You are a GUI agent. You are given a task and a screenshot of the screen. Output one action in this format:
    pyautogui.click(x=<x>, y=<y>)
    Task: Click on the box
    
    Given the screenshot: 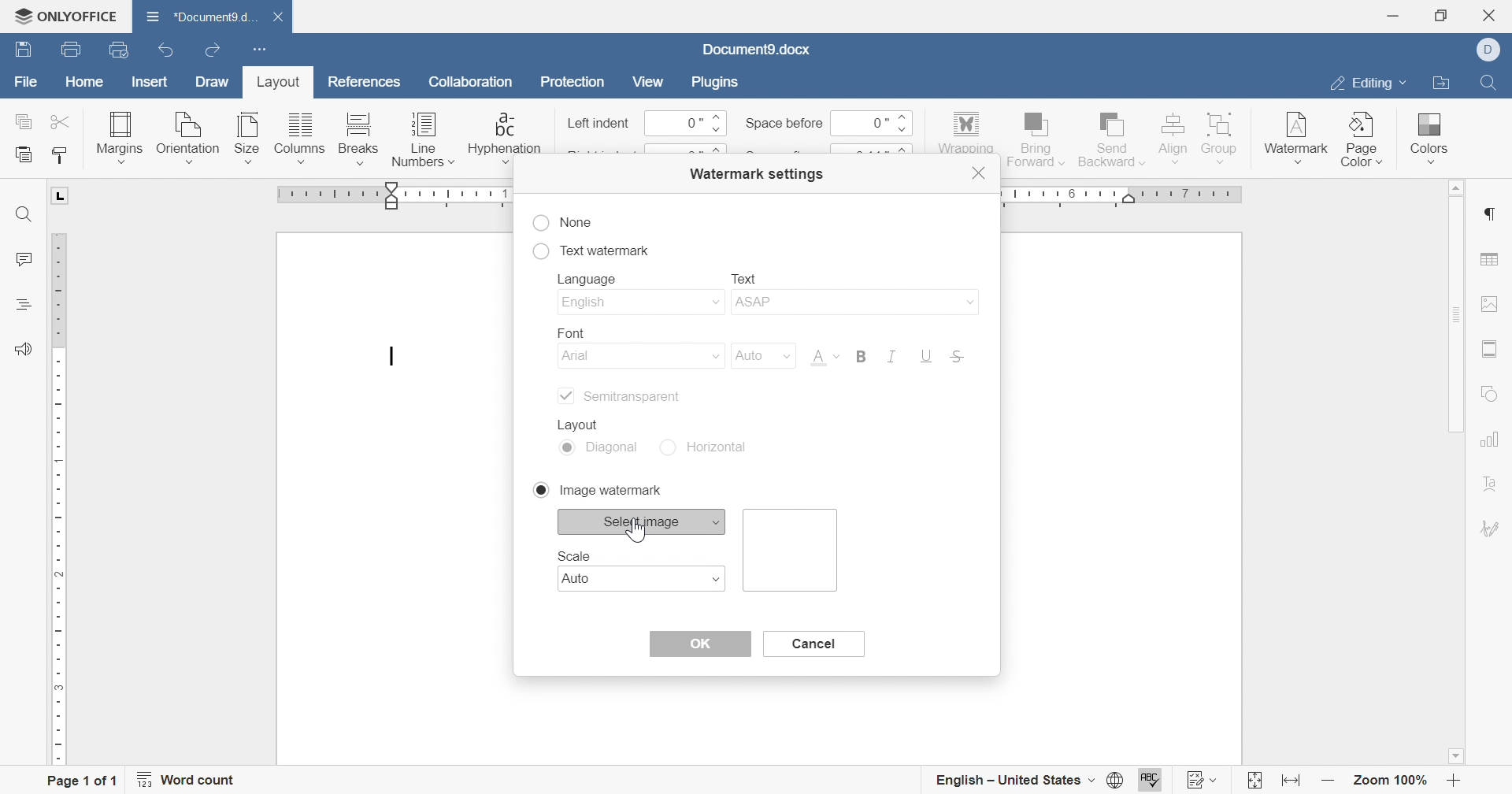 What is the action you would take?
    pyautogui.click(x=793, y=550)
    